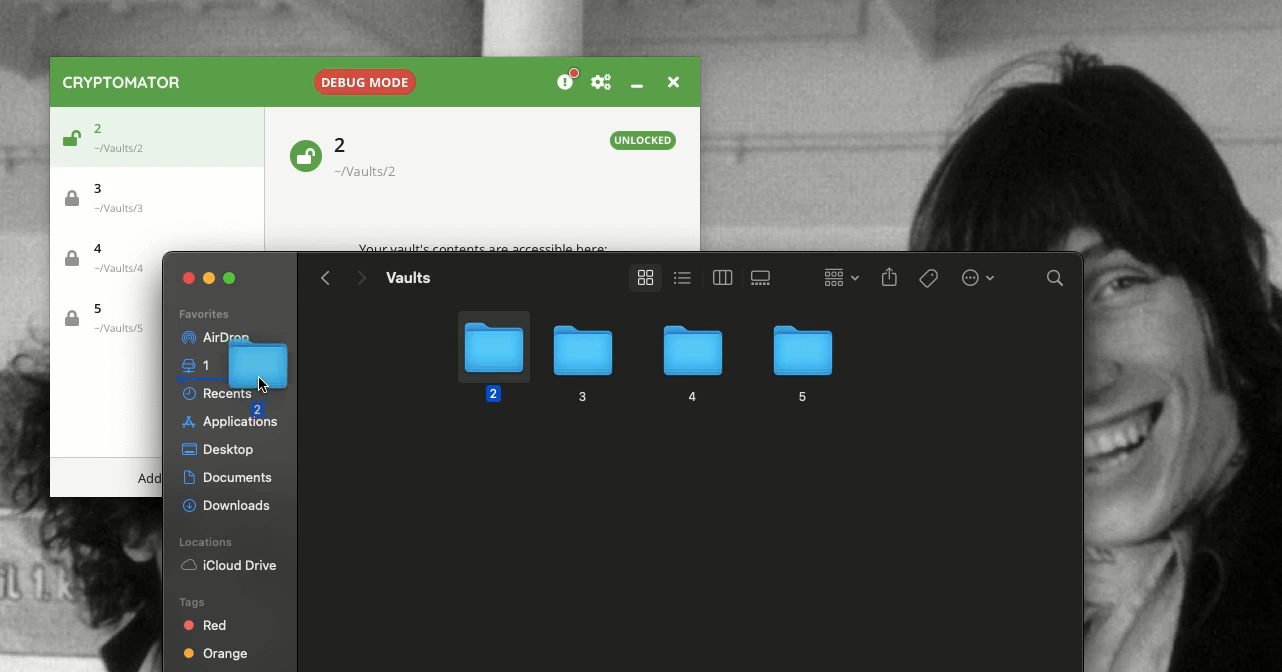  I want to click on Red, so click(207, 625).